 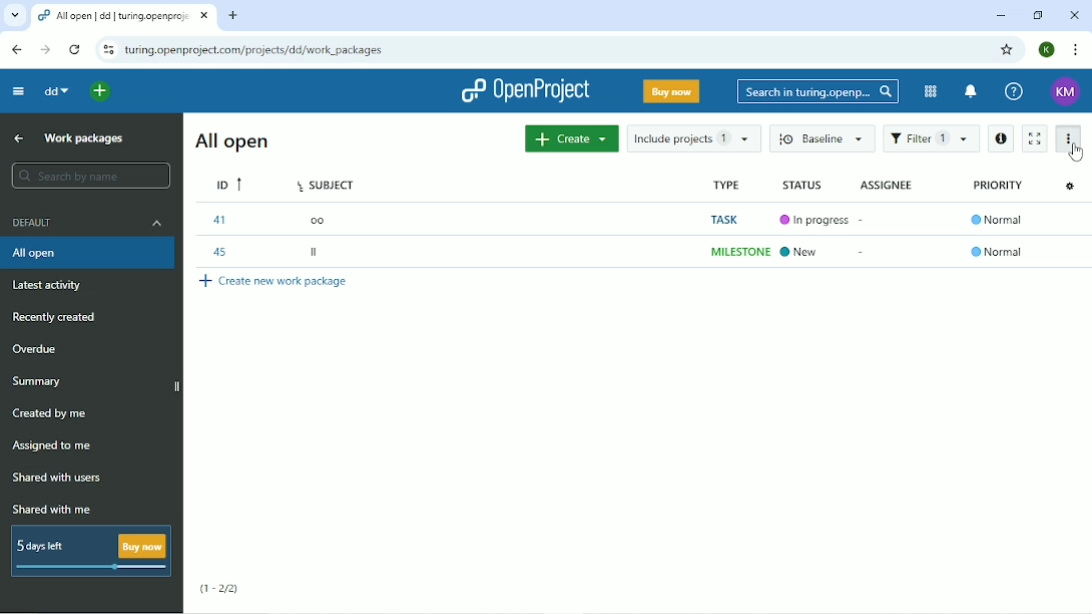 I want to click on Include projects, so click(x=695, y=138).